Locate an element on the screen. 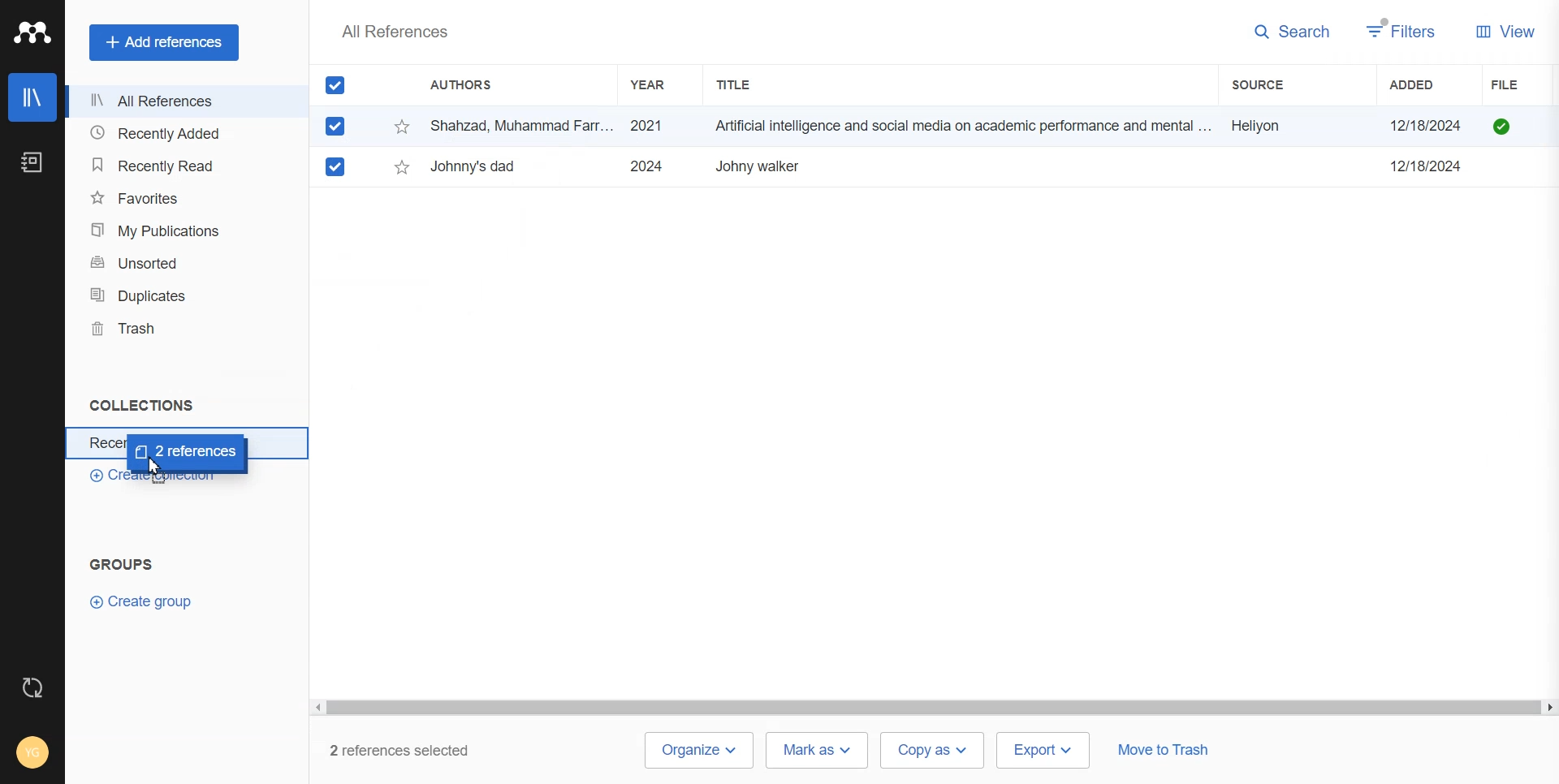 This screenshot has height=784, width=1559. Mark checked is located at coordinates (337, 166).